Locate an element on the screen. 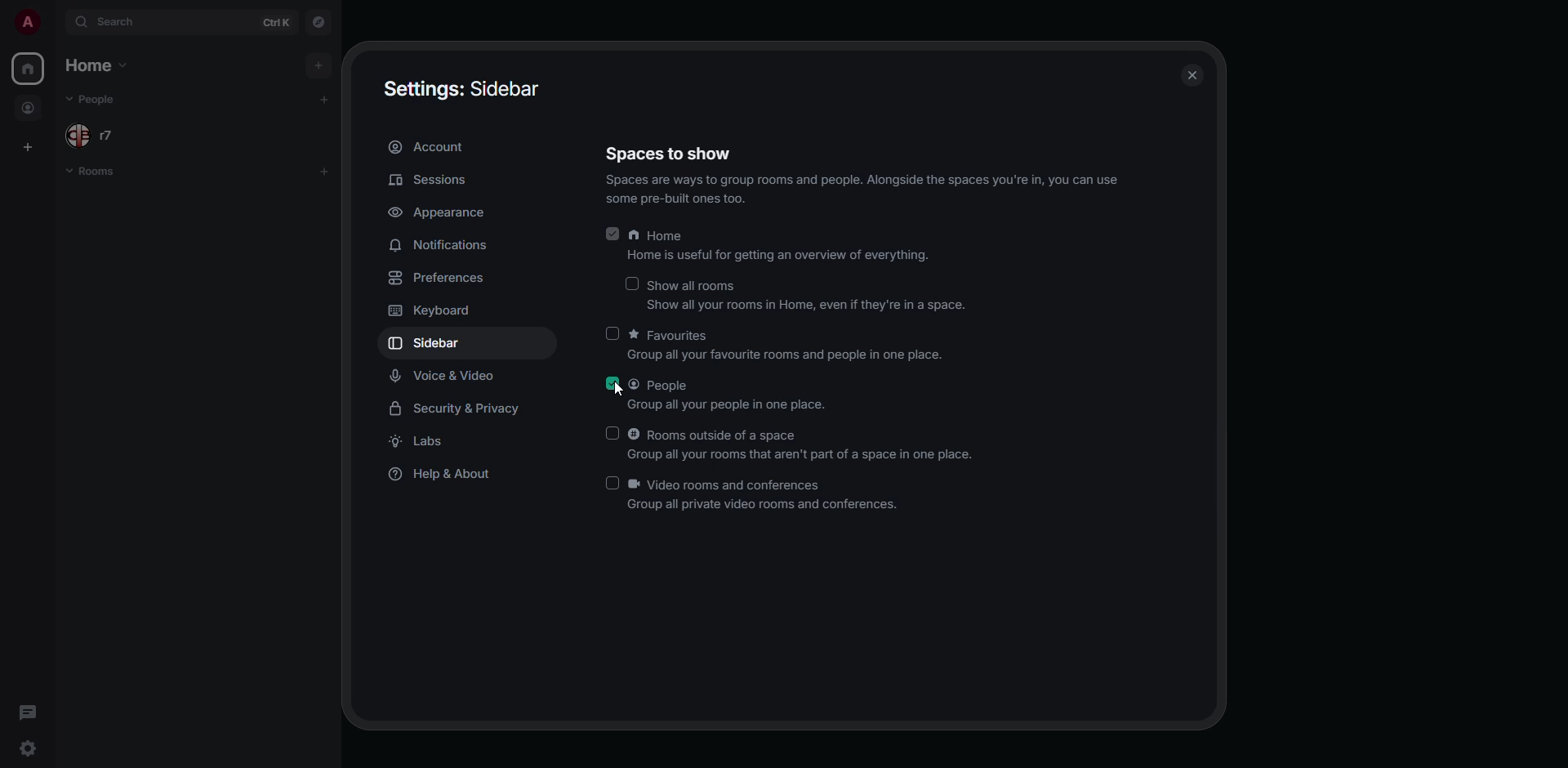 The width and height of the screenshot is (1568, 768). home is located at coordinates (30, 69).